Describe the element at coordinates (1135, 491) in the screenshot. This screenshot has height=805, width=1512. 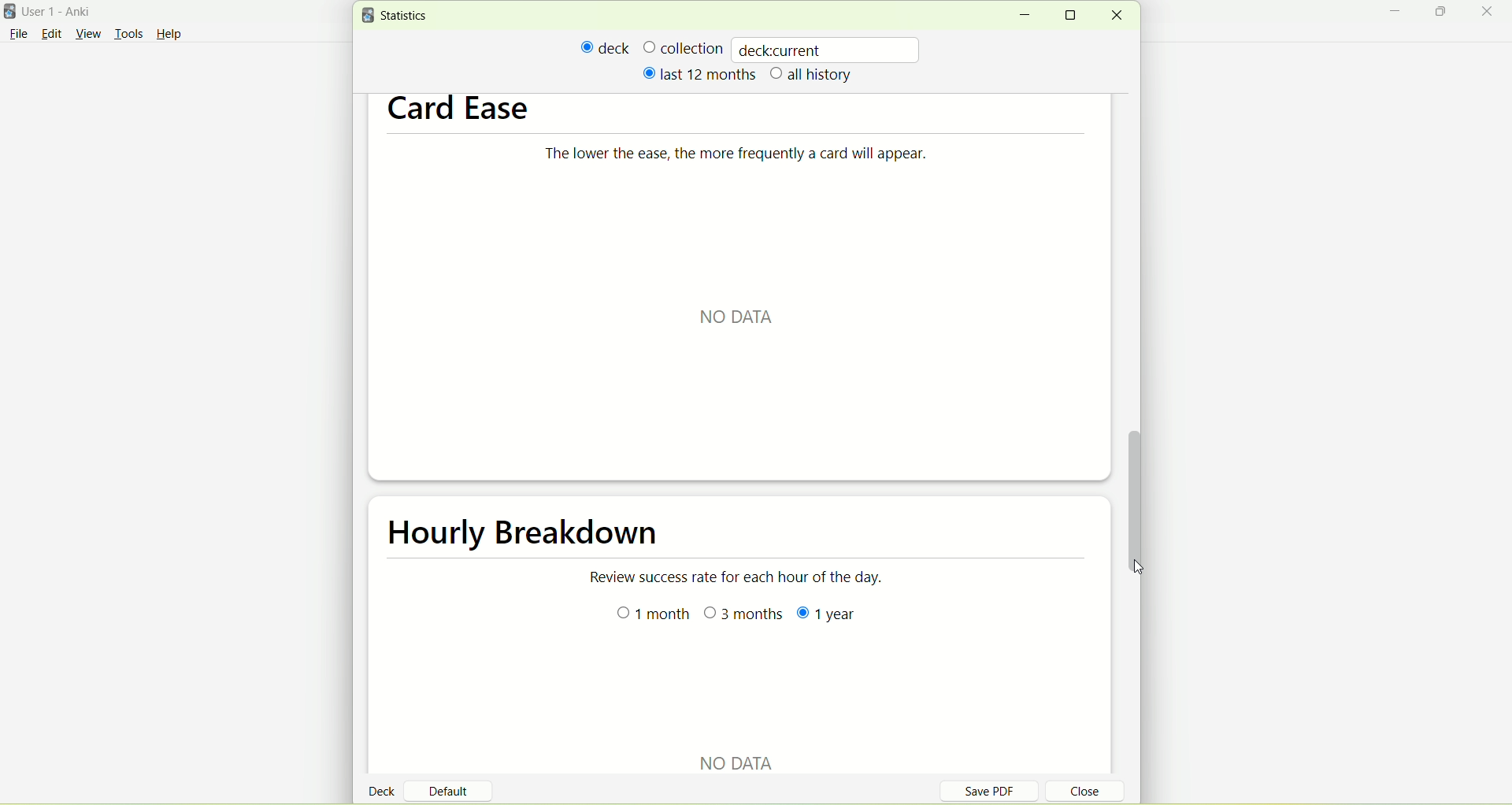
I see `vertical scroll bar` at that location.